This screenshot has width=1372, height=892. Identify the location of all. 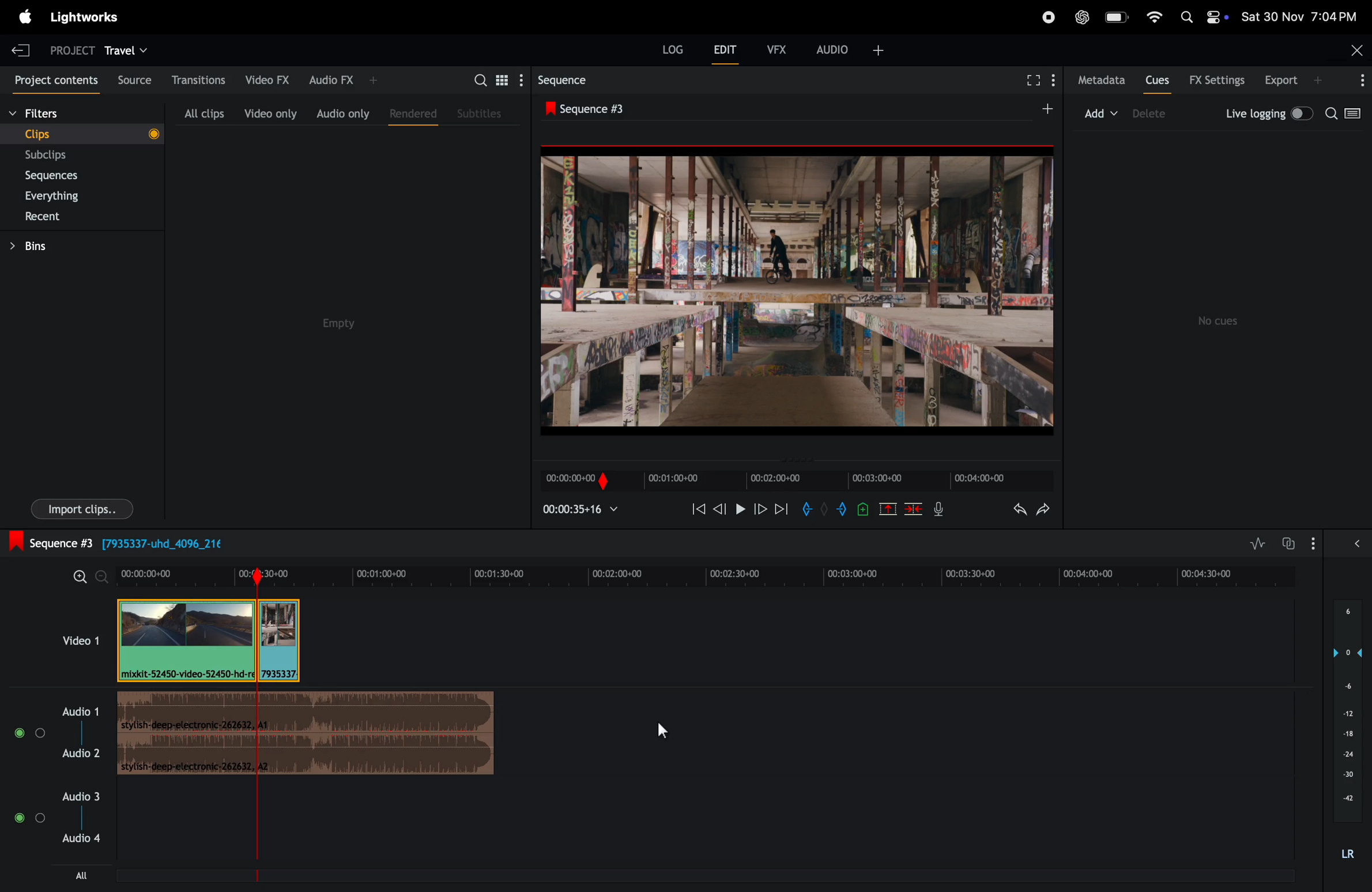
(77, 880).